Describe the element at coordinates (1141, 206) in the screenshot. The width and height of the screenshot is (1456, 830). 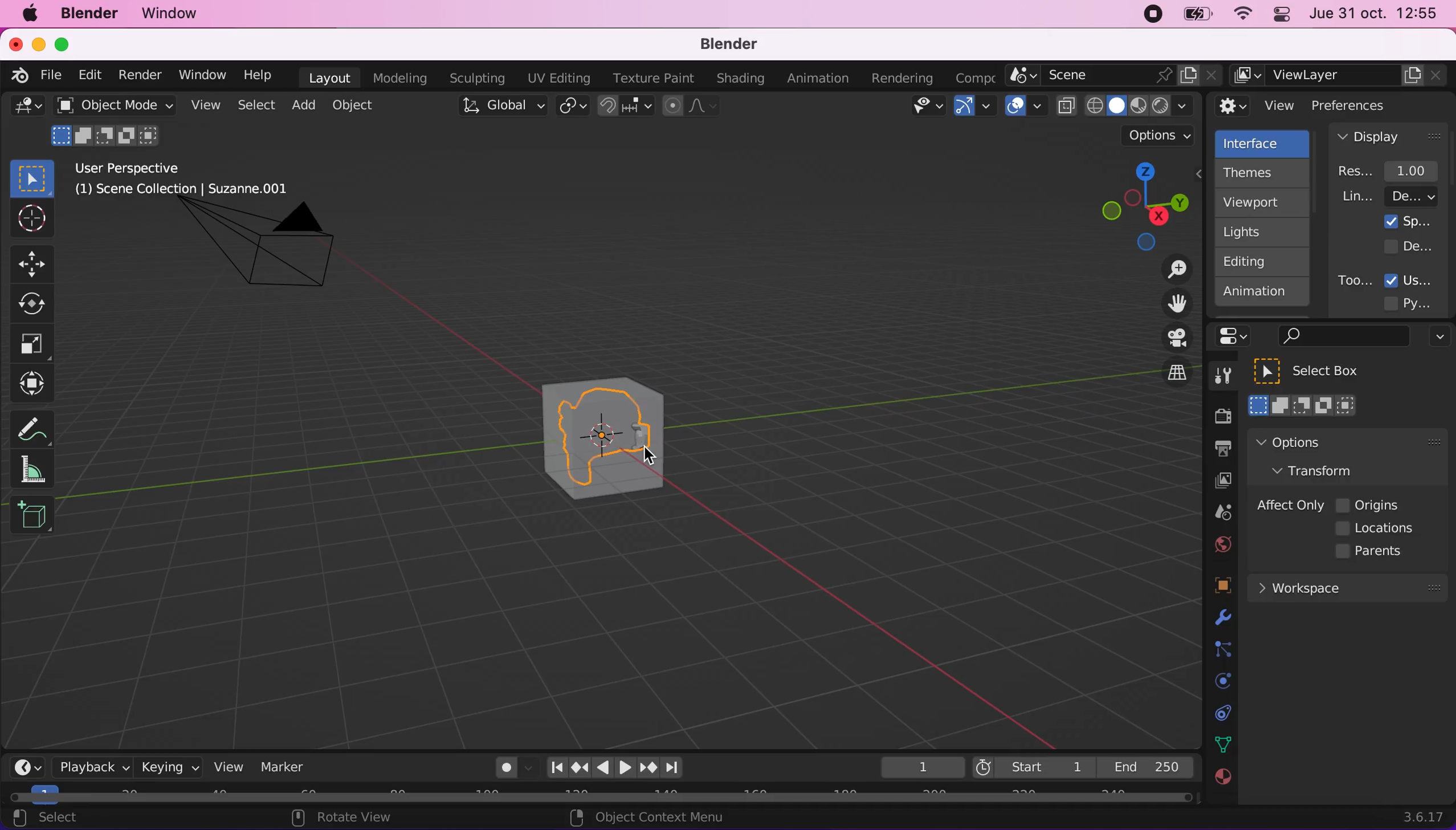
I see `click, shortcut, drag` at that location.